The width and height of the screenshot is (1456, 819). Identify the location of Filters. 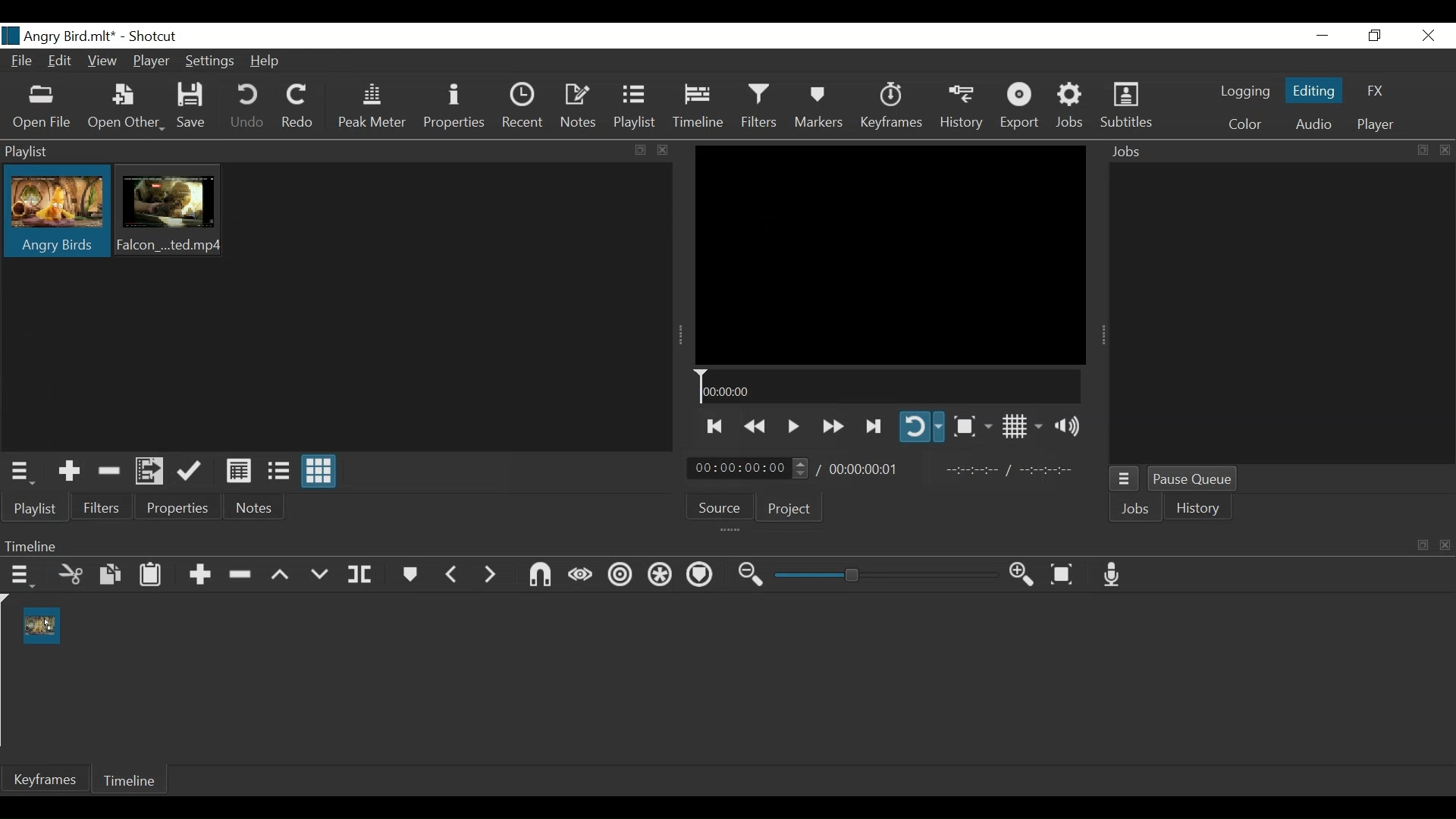
(757, 108).